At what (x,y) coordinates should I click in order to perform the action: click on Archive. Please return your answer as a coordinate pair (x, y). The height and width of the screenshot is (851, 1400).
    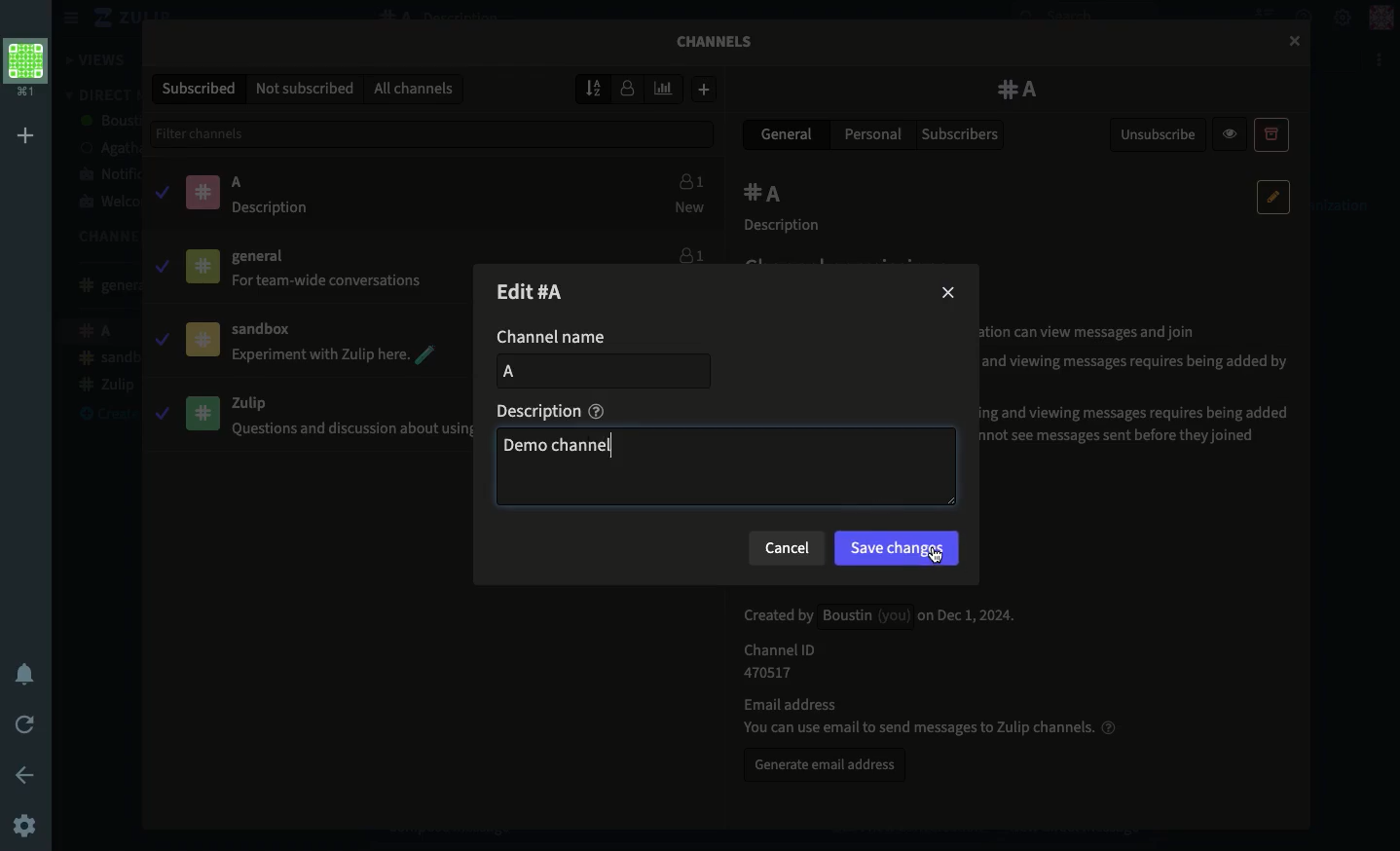
    Looking at the image, I should click on (1271, 133).